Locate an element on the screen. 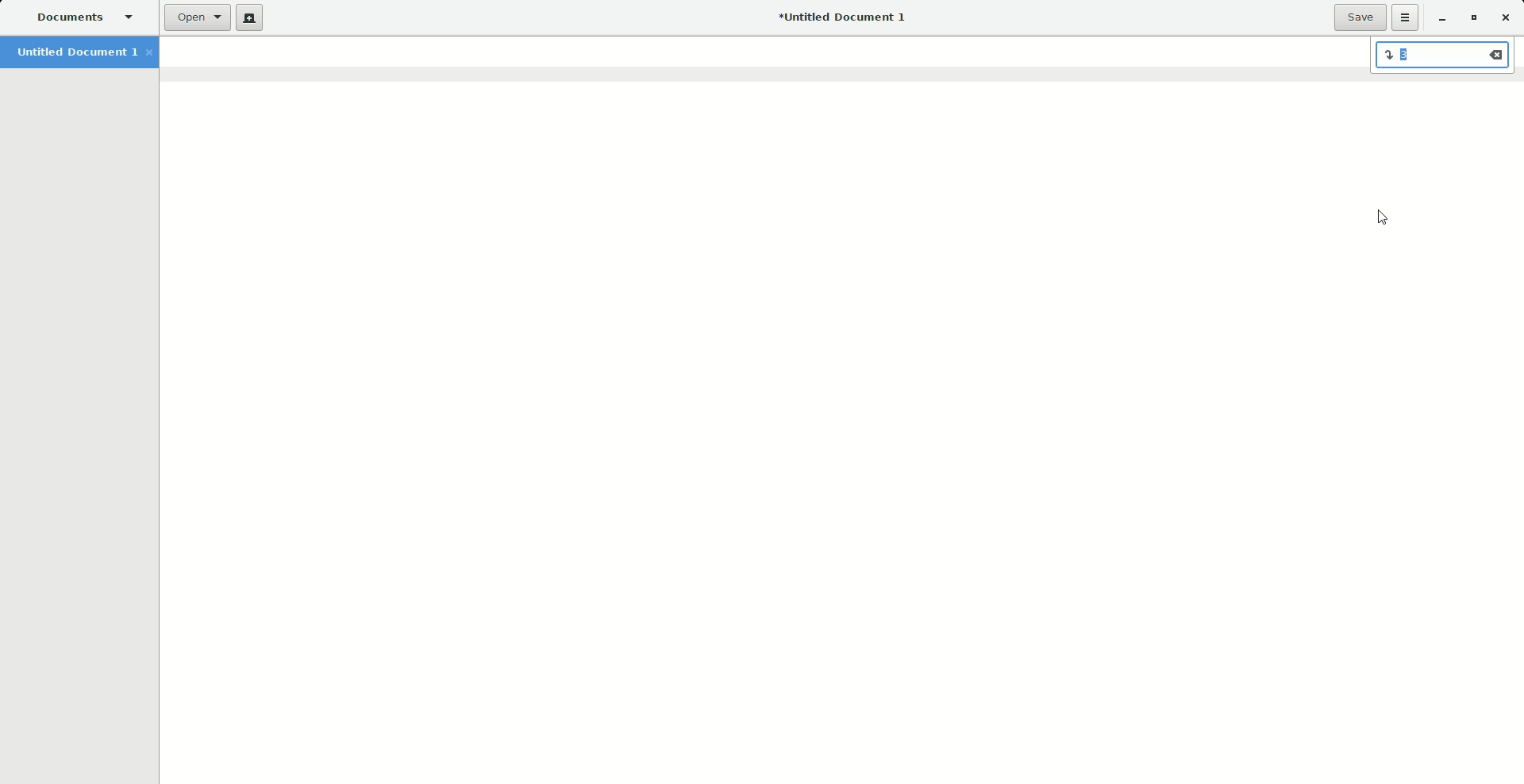 The image size is (1524, 784). Save is located at coordinates (1359, 17).